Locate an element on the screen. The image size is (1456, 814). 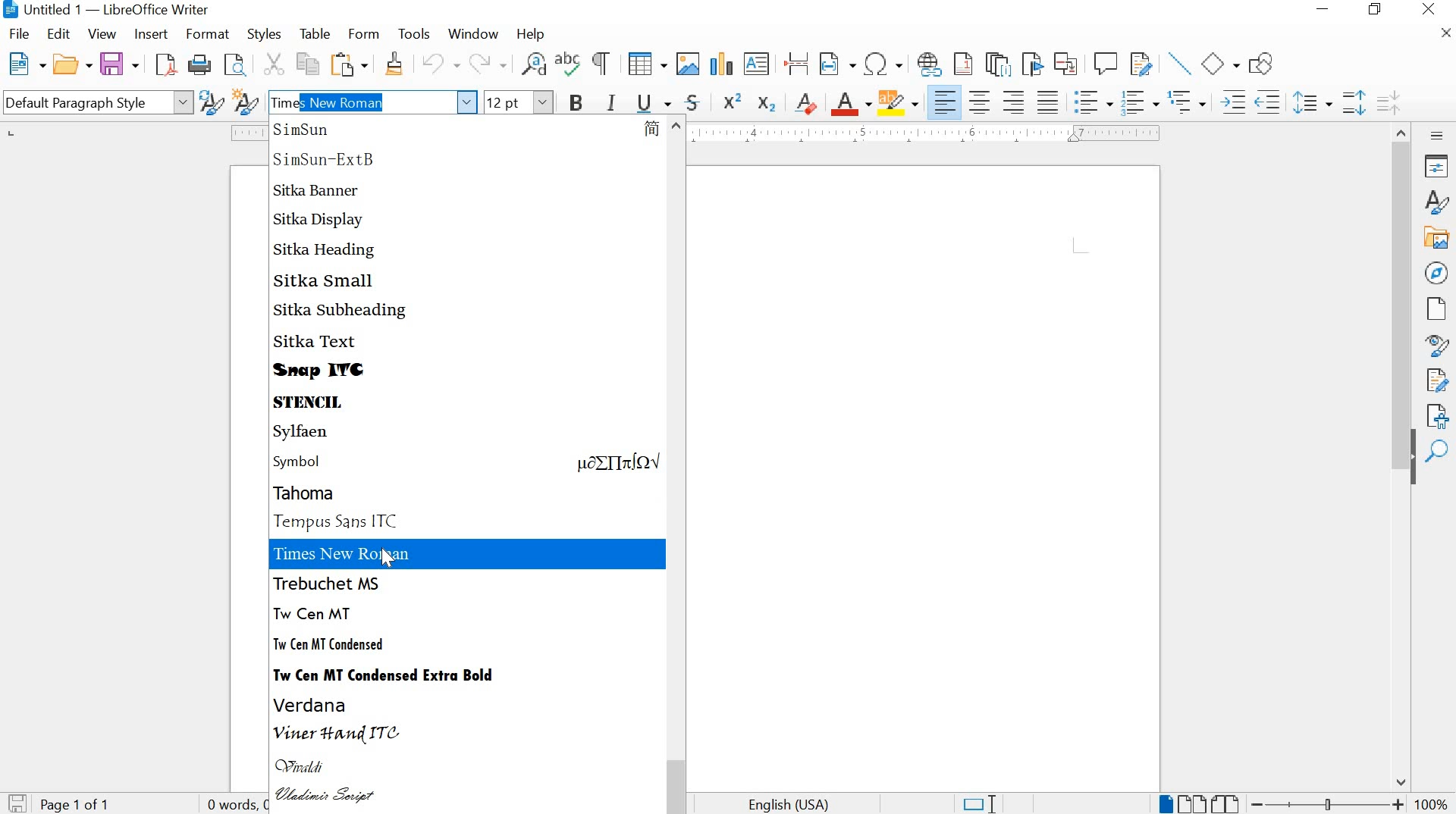
ALIGN LEFT is located at coordinates (945, 102).